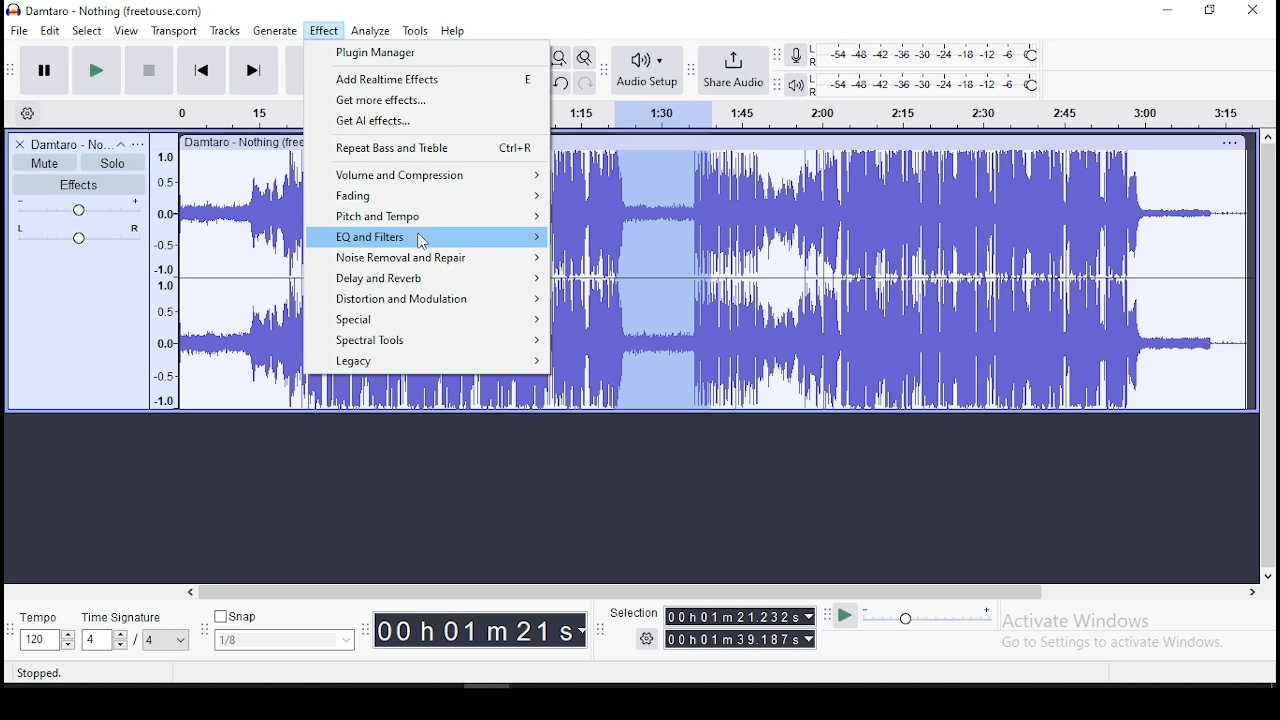 The width and height of the screenshot is (1280, 720). Describe the element at coordinates (113, 163) in the screenshot. I see `solo` at that location.